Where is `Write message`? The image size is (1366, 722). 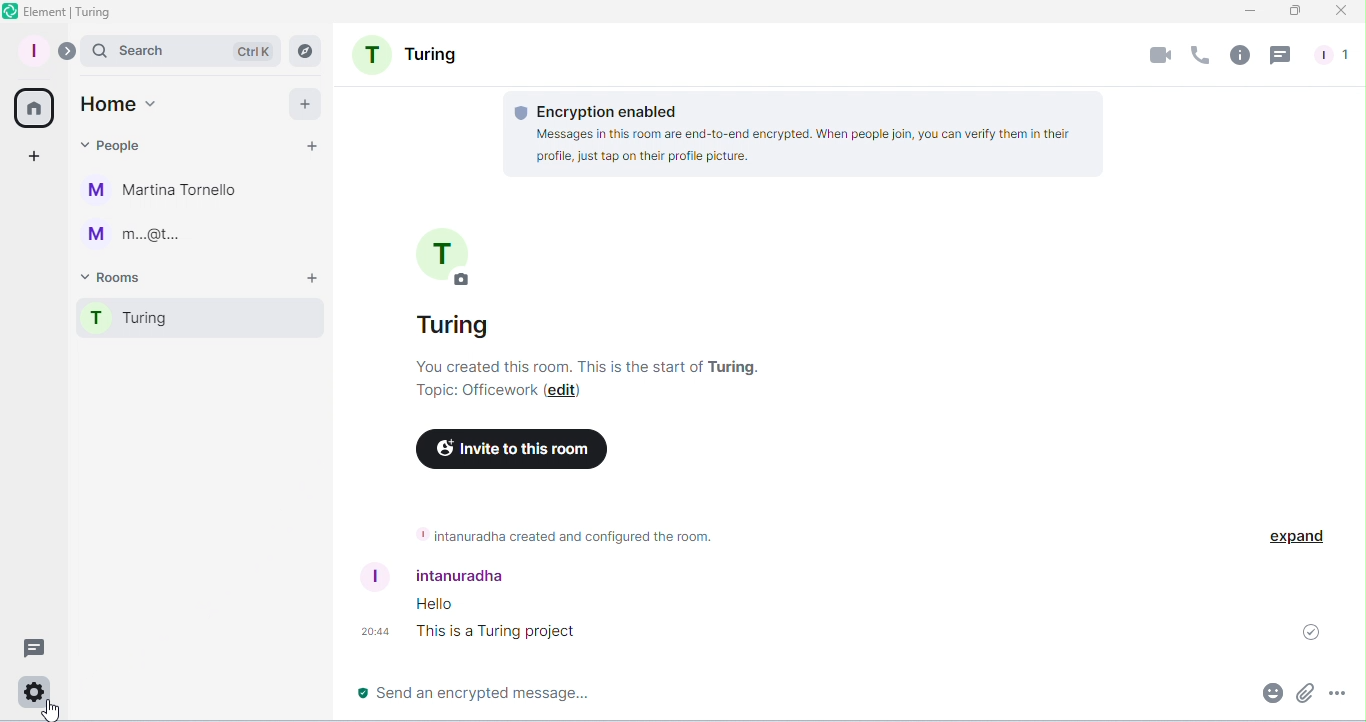
Write message is located at coordinates (770, 695).